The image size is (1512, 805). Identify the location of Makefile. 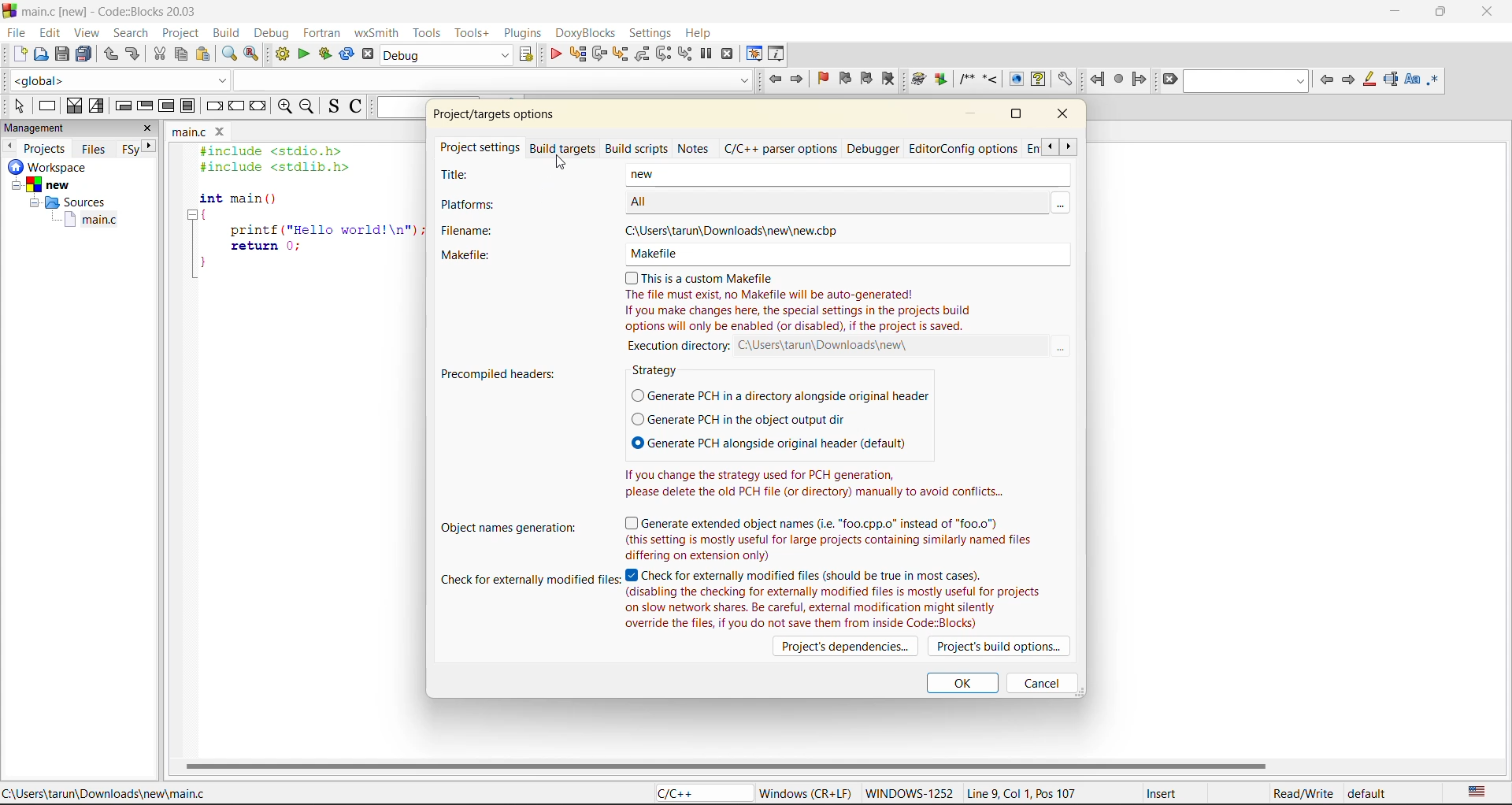
(843, 254).